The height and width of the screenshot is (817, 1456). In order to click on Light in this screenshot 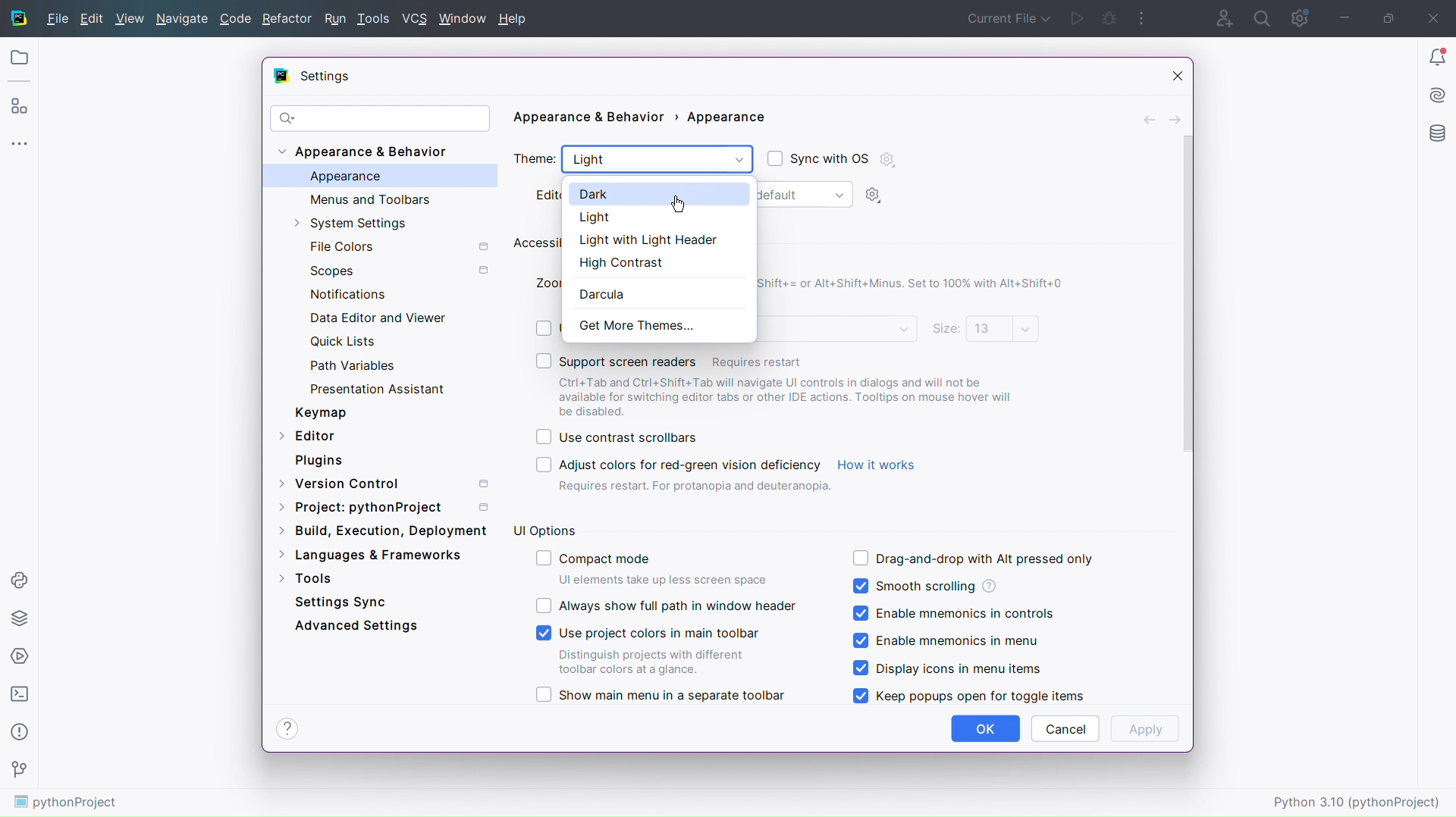, I will do `click(657, 161)`.